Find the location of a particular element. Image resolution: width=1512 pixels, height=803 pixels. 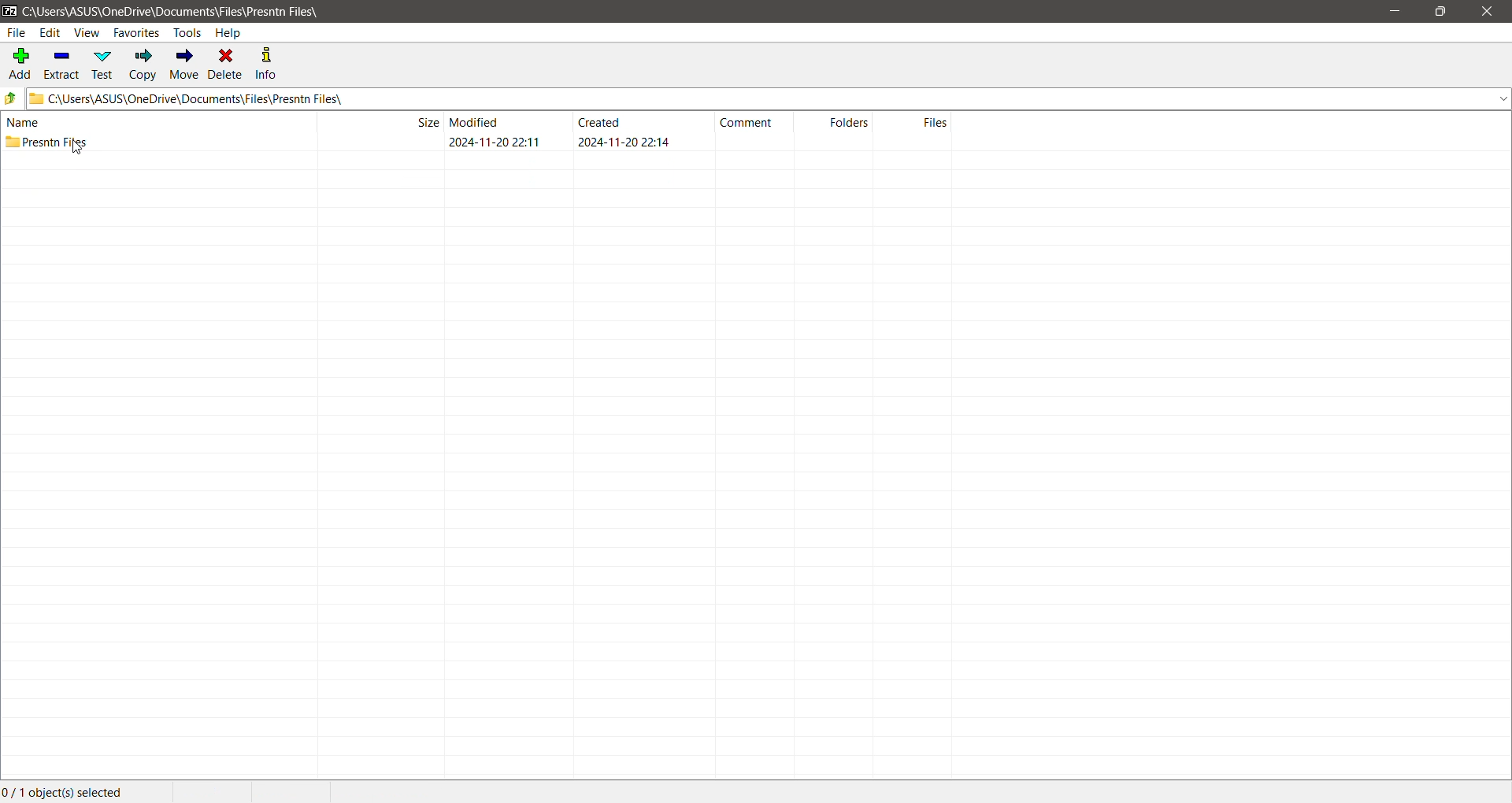

Test is located at coordinates (105, 65).